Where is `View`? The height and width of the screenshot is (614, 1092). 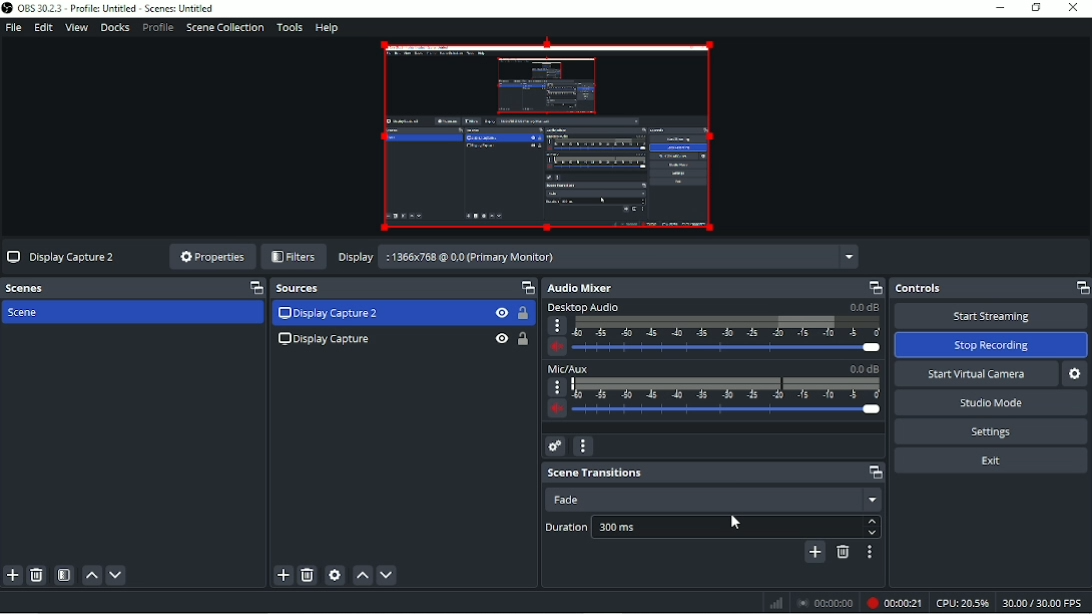
View is located at coordinates (76, 28).